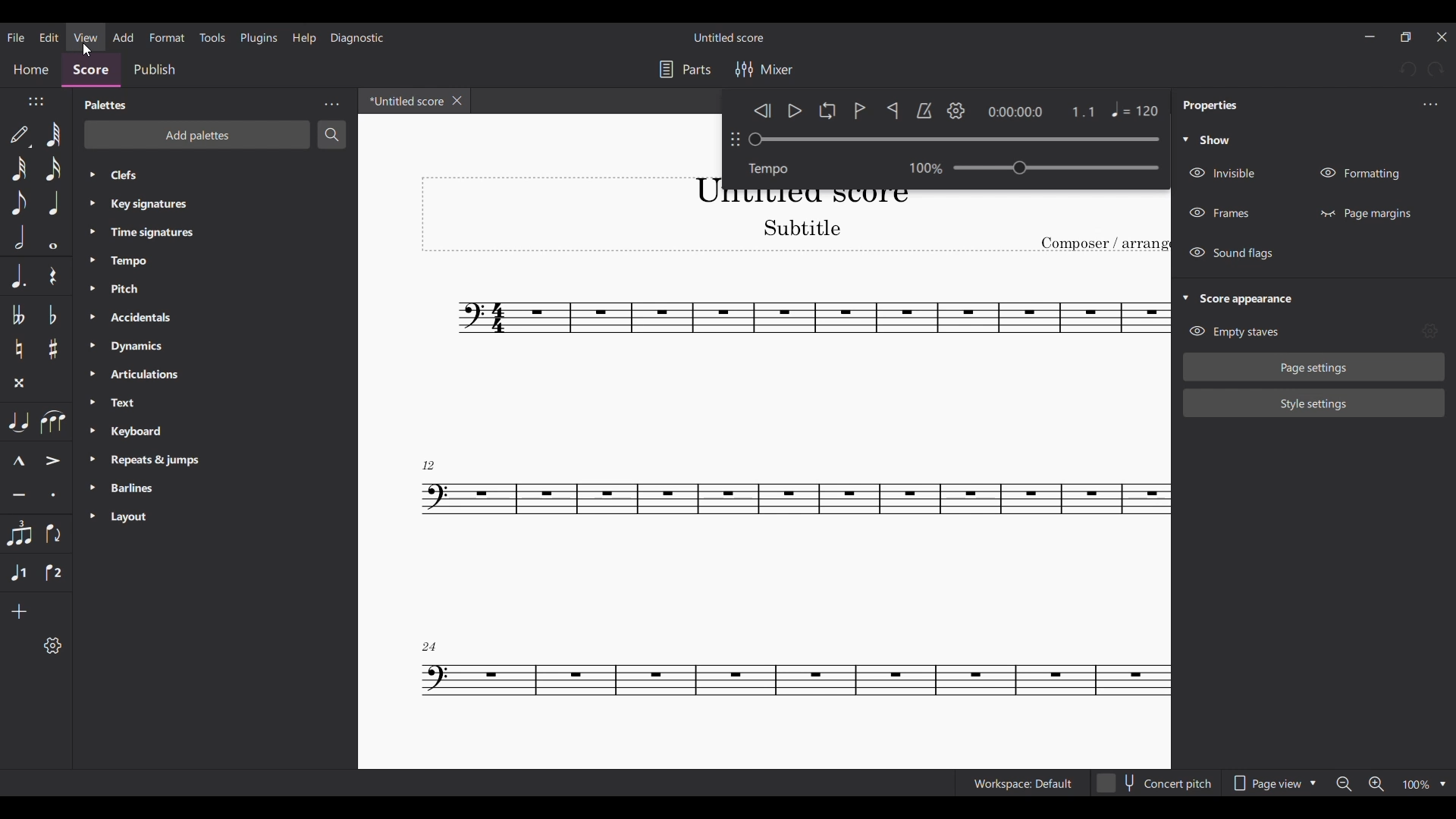 This screenshot has height=819, width=1456. I want to click on Repeat & jump, so click(199, 460).